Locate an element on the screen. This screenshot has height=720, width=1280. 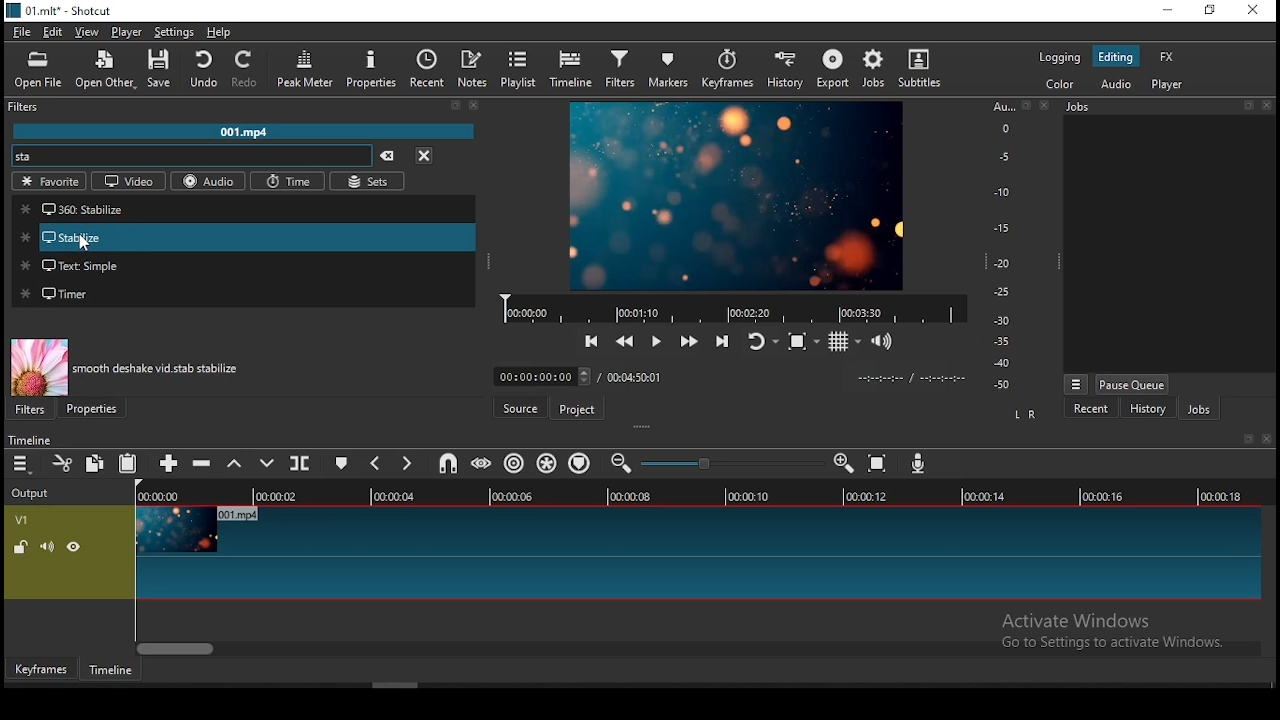
ripple all tracks is located at coordinates (551, 461).